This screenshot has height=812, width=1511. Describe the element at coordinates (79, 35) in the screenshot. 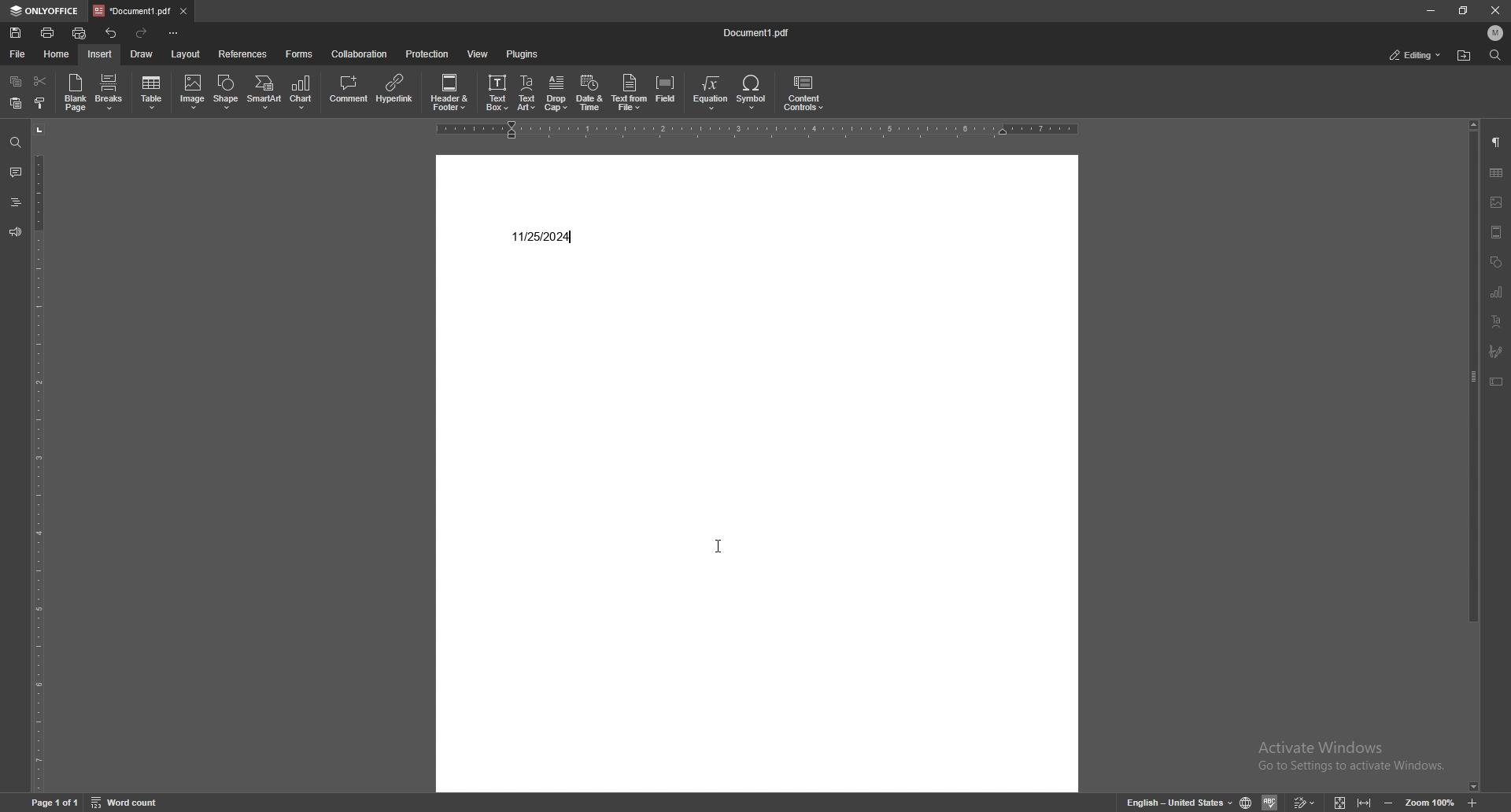

I see `quick print` at that location.